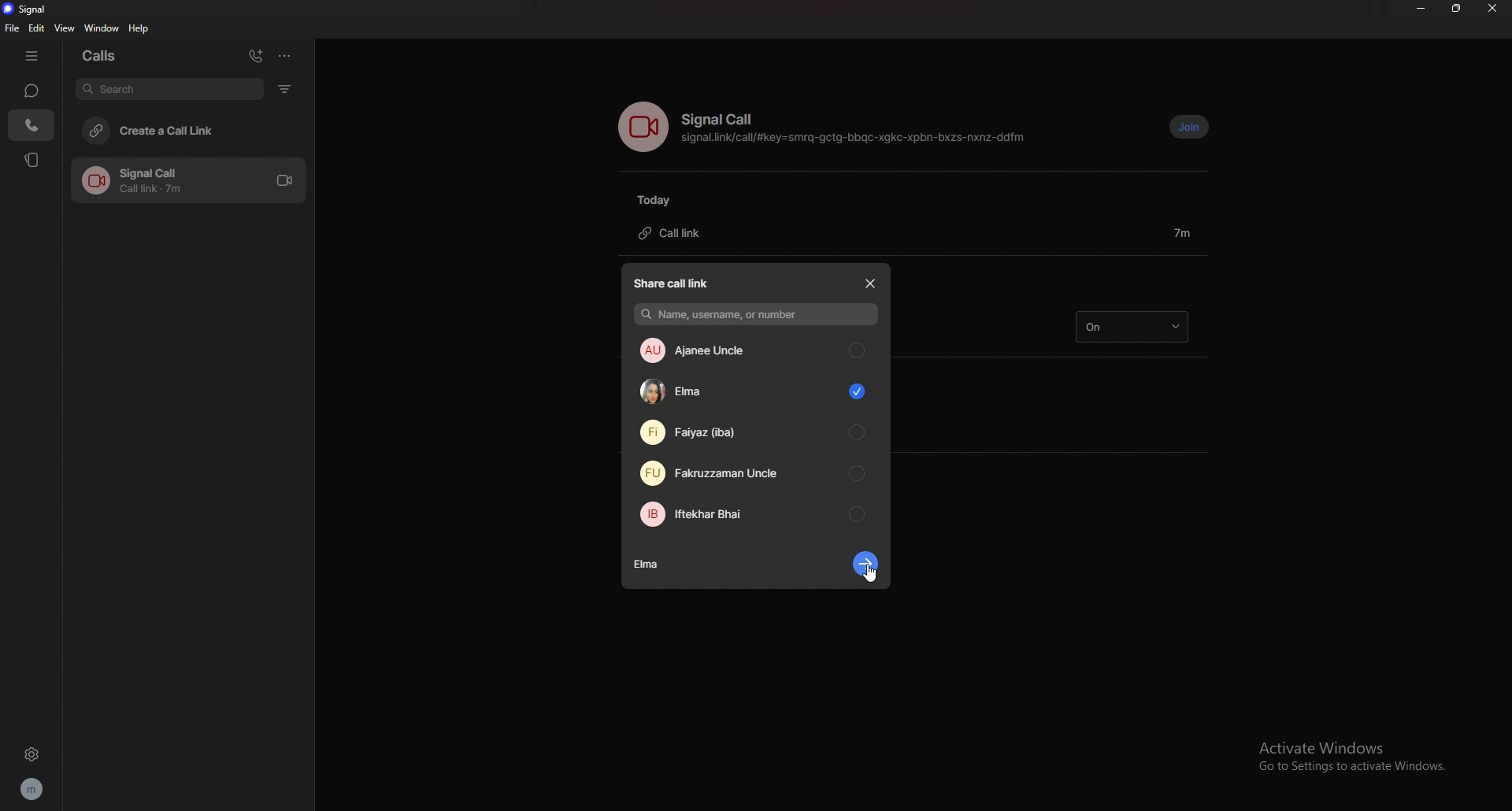  I want to click on contact name, so click(652, 563).